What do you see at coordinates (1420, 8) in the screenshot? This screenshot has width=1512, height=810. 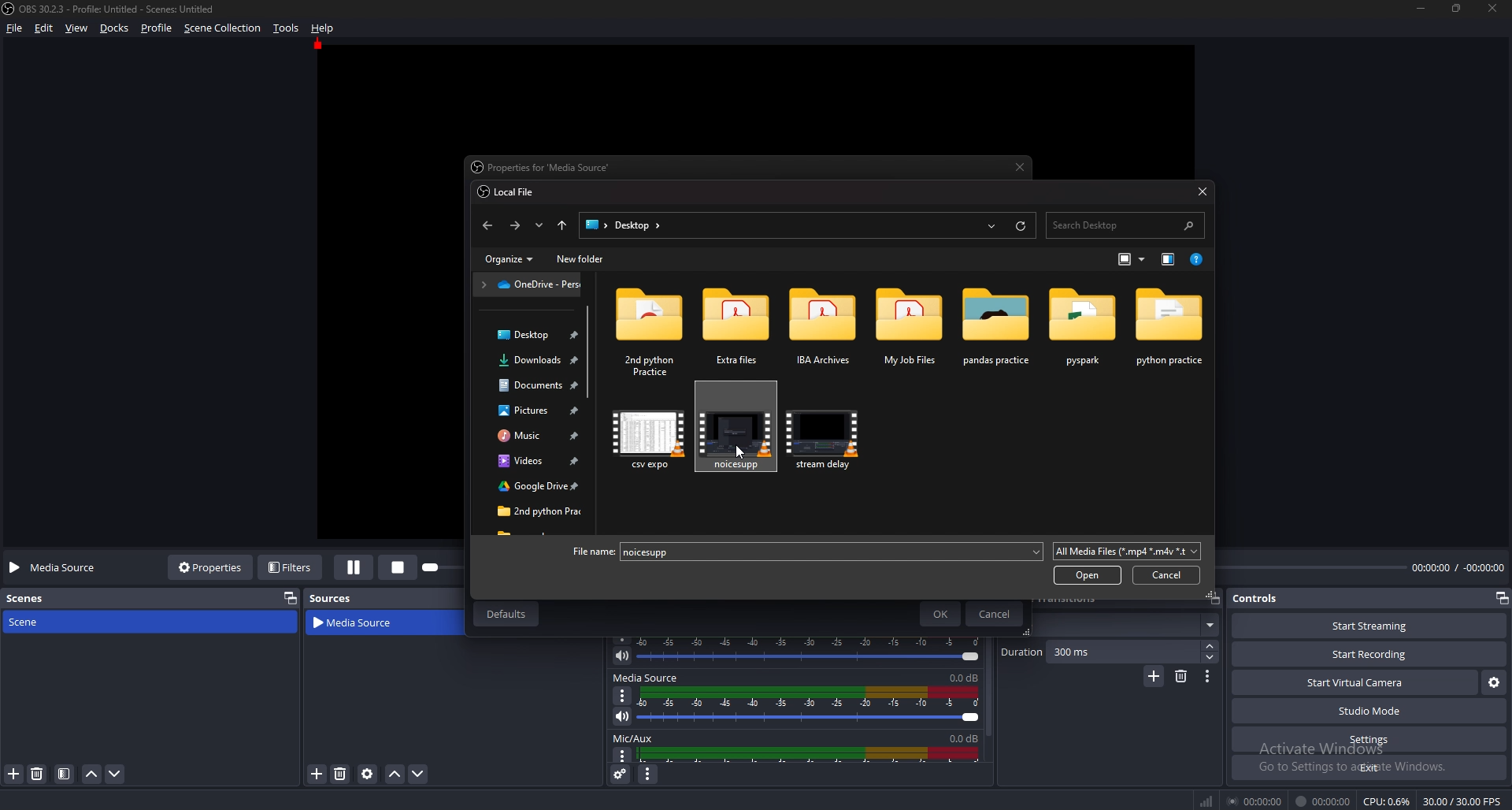 I see `Minimize` at bounding box center [1420, 8].